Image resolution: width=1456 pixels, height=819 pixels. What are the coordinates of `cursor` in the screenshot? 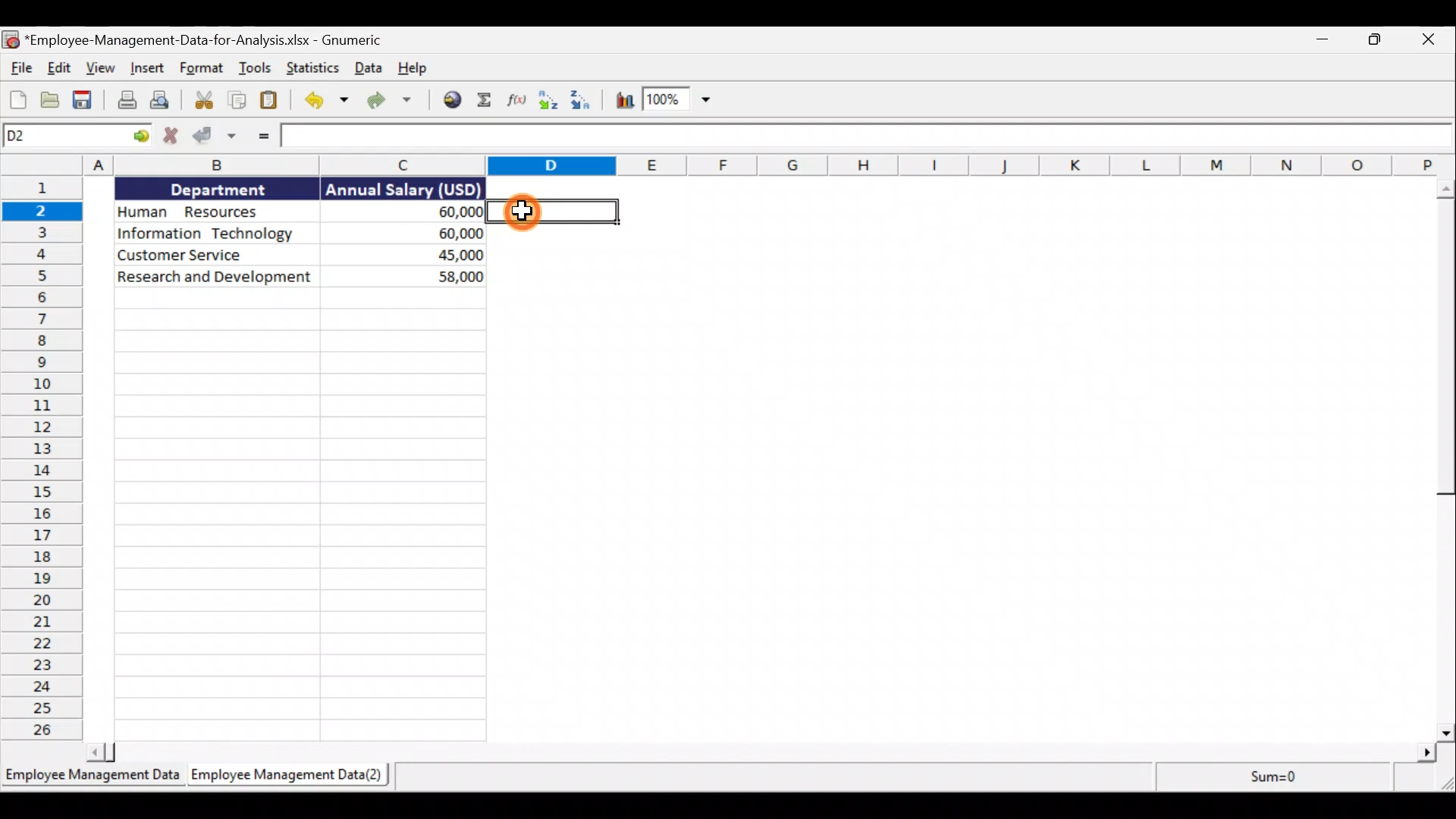 It's located at (526, 214).